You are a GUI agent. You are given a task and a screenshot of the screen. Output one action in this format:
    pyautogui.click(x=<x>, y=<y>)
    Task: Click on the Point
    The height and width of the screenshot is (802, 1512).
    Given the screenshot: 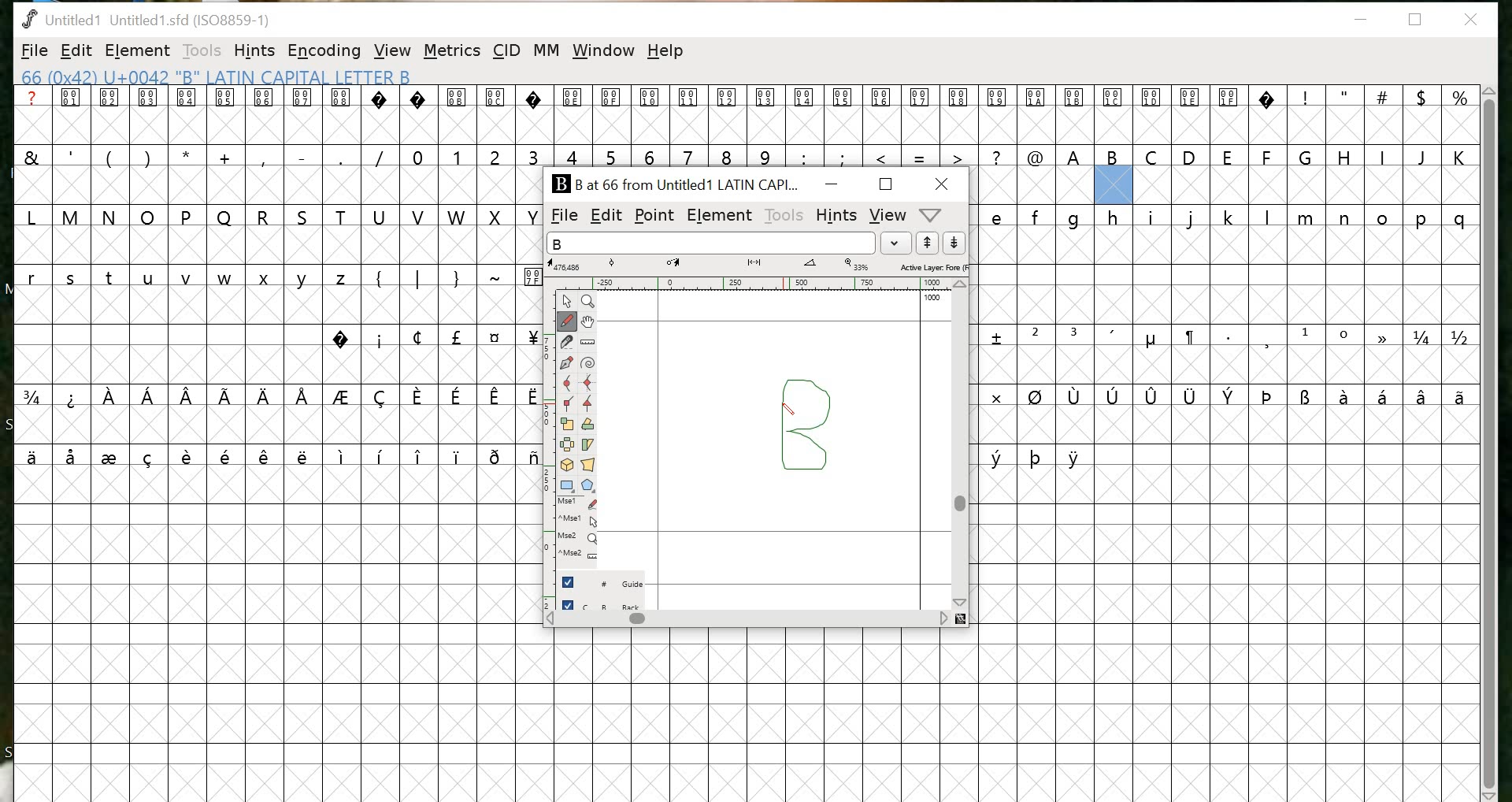 What is the action you would take?
    pyautogui.click(x=568, y=302)
    